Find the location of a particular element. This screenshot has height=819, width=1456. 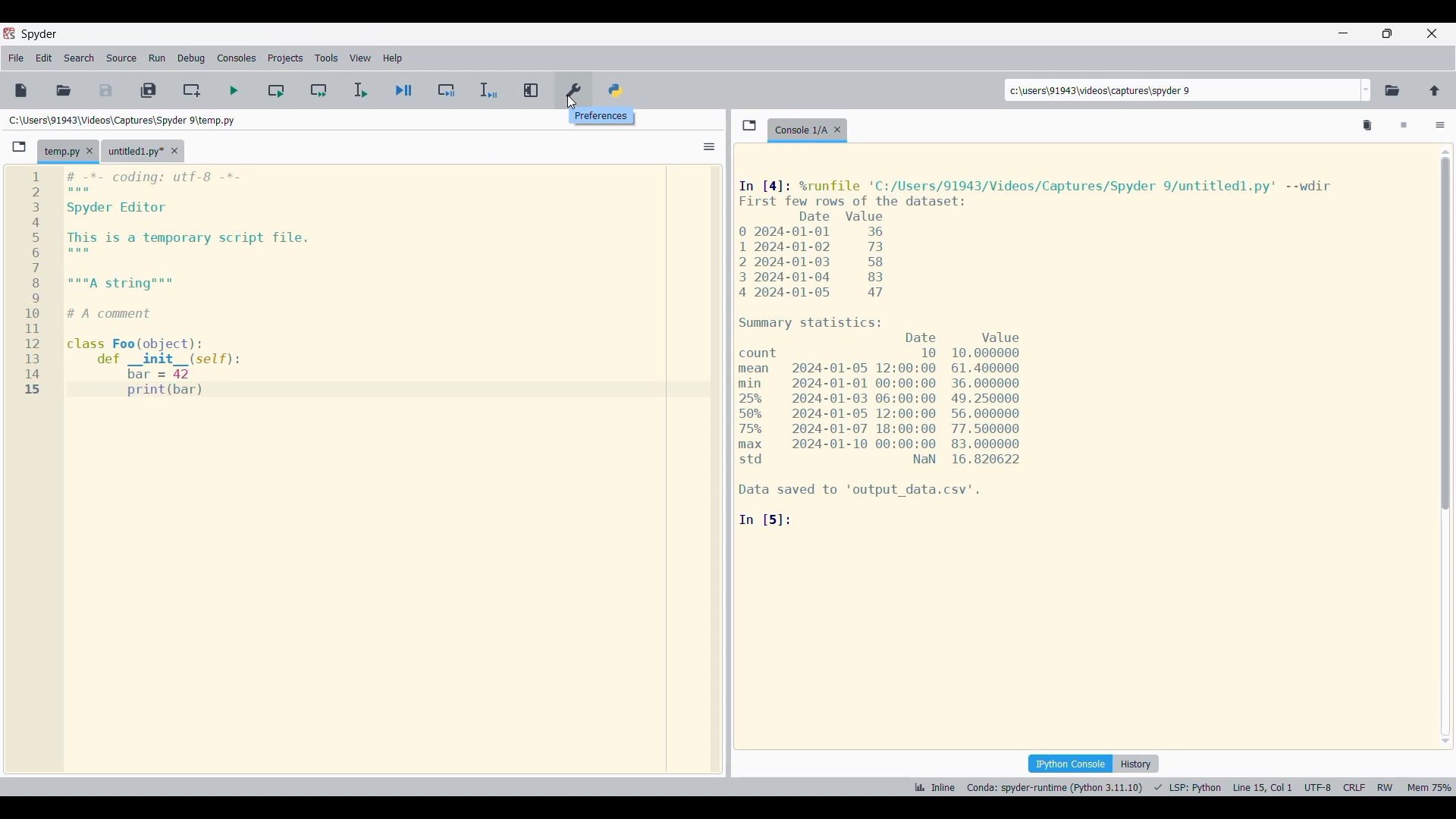

Help menu is located at coordinates (394, 58).